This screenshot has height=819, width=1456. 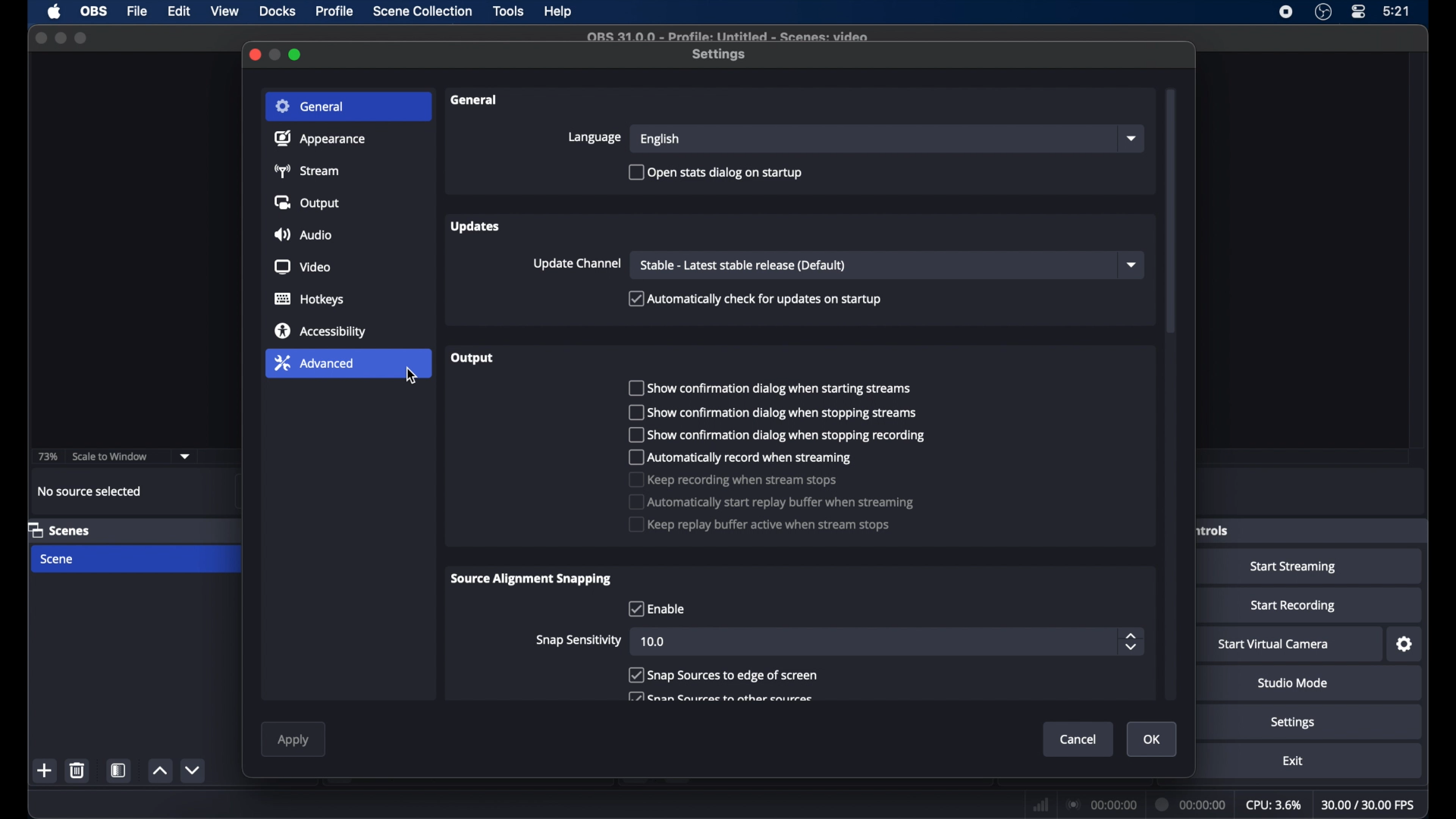 I want to click on video, so click(x=302, y=267).